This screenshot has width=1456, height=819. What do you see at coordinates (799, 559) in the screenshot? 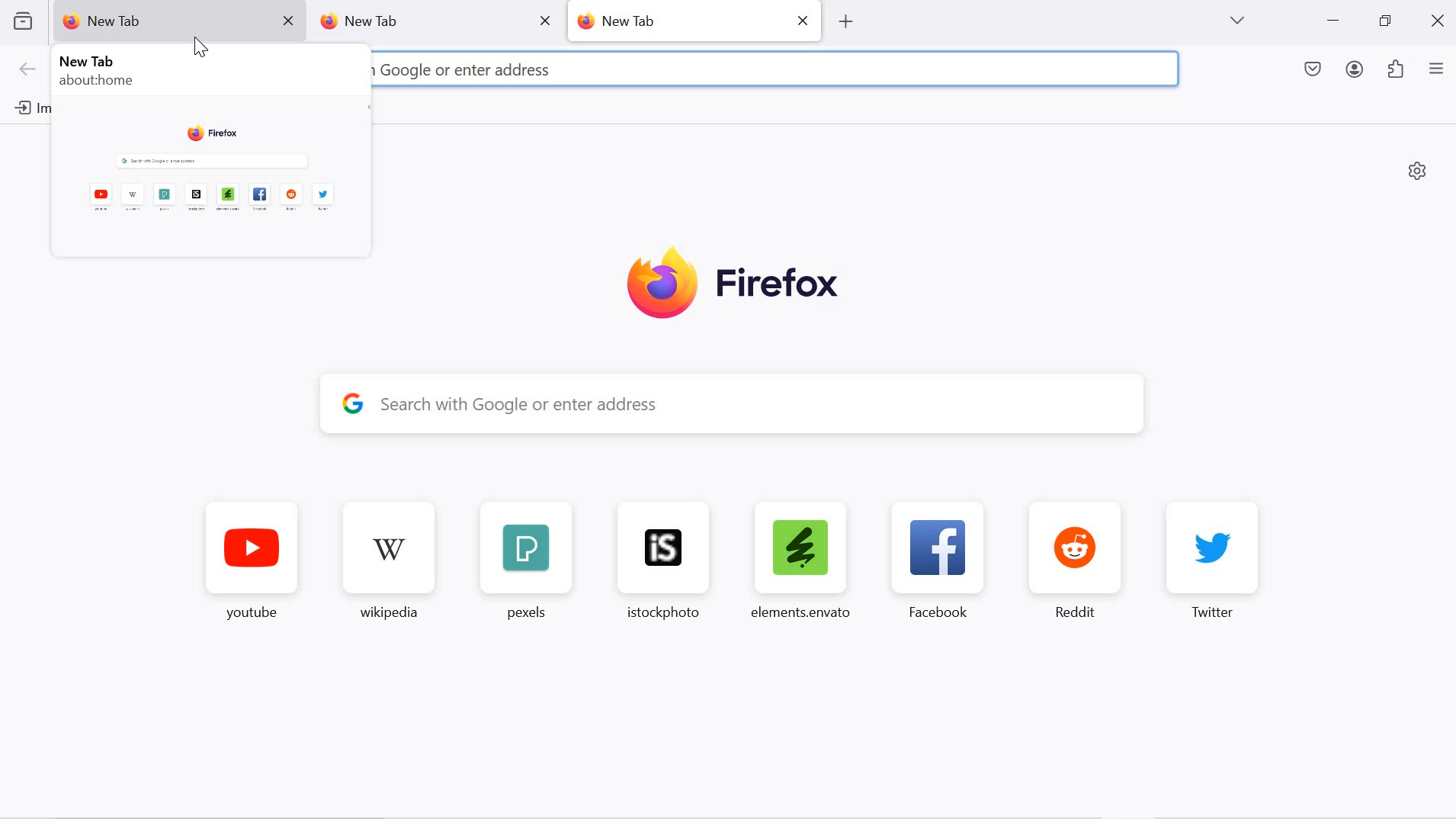
I see `elements.envanto favorite` at bounding box center [799, 559].